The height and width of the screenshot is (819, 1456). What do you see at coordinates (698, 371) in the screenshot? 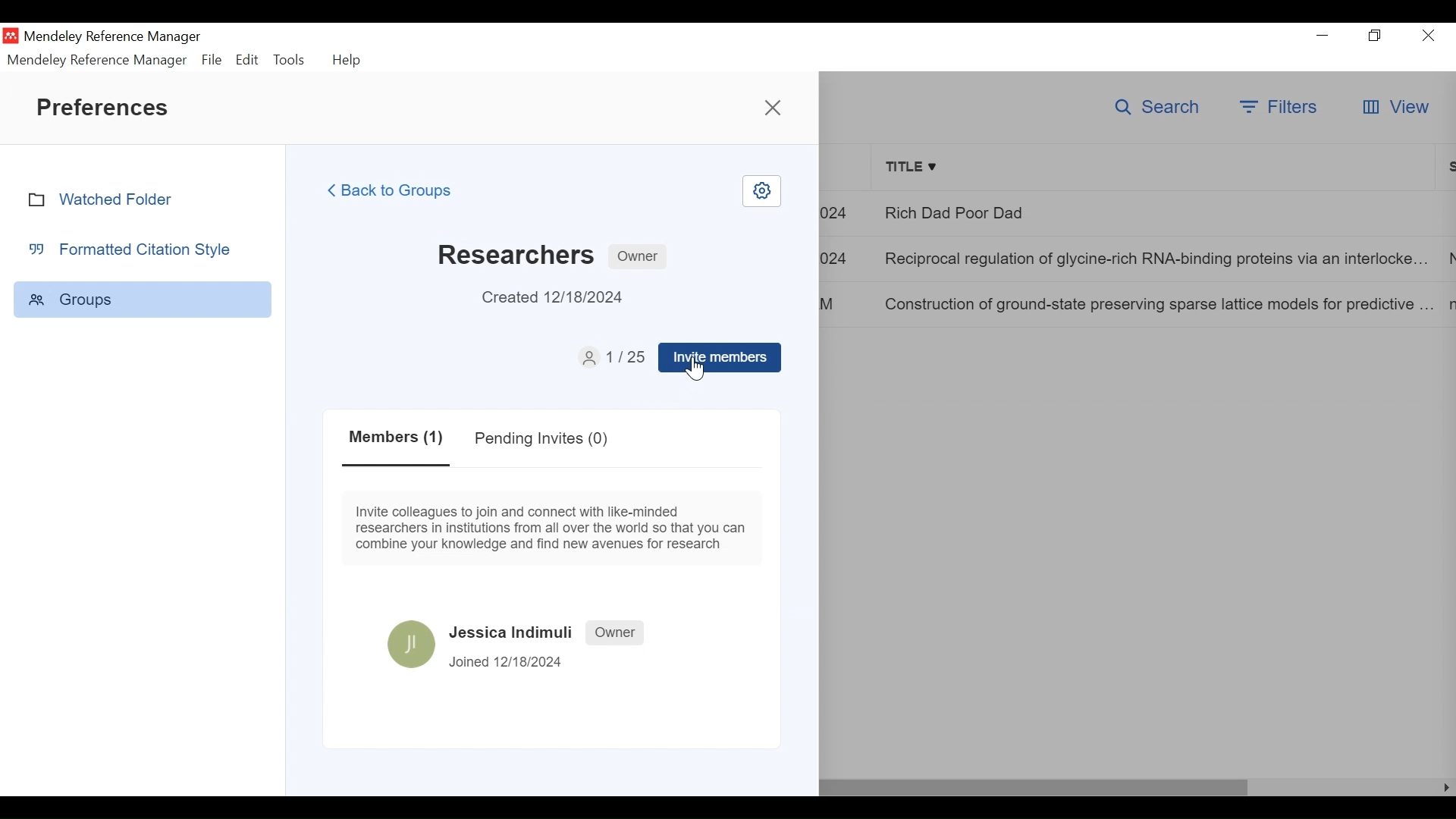
I see `Cursor ` at bounding box center [698, 371].